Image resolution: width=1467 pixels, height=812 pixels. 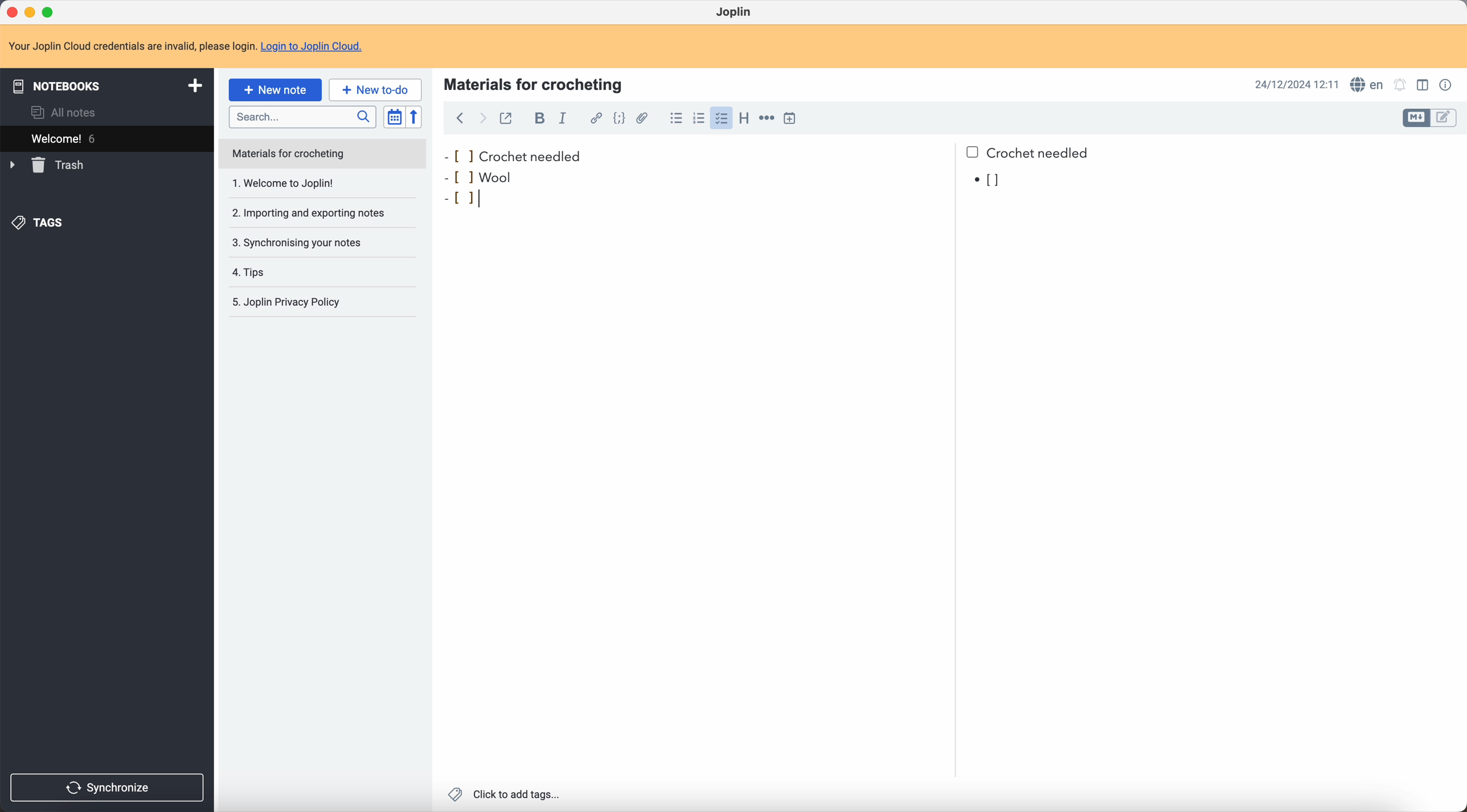 What do you see at coordinates (507, 121) in the screenshot?
I see `toggle external editing` at bounding box center [507, 121].